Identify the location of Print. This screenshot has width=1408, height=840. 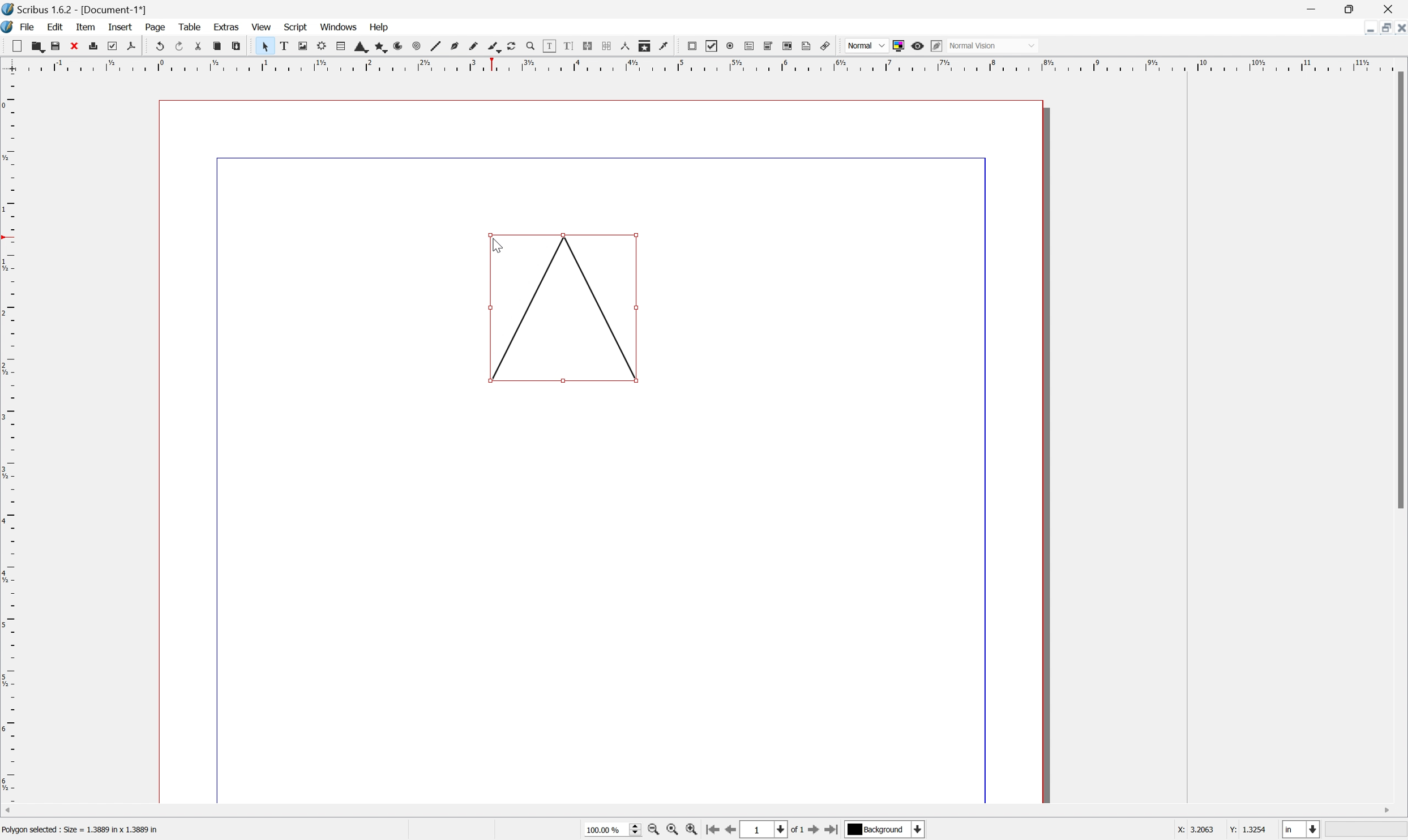
(92, 45).